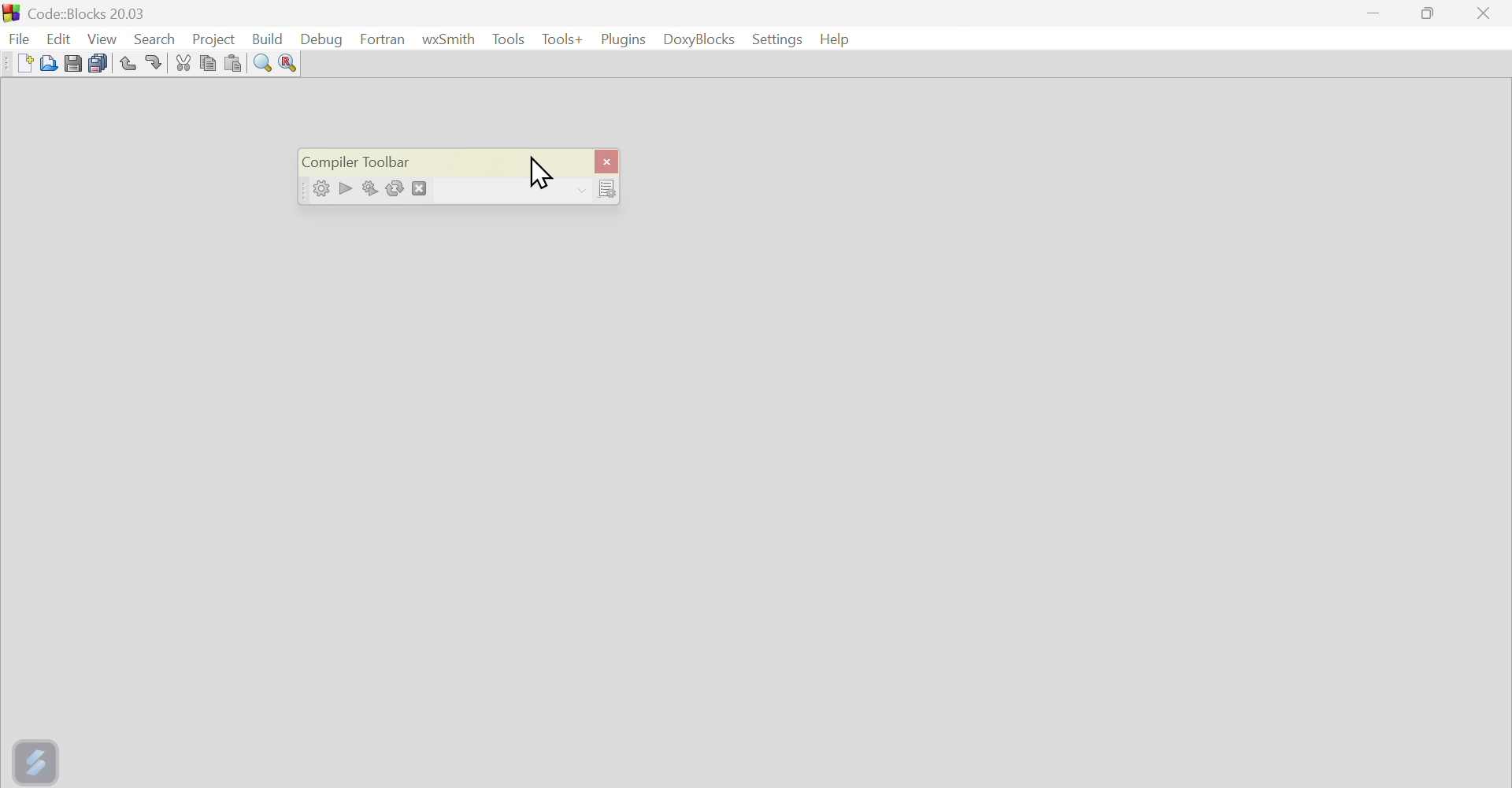 This screenshot has height=788, width=1512. Describe the element at coordinates (287, 65) in the screenshot. I see `` at that location.